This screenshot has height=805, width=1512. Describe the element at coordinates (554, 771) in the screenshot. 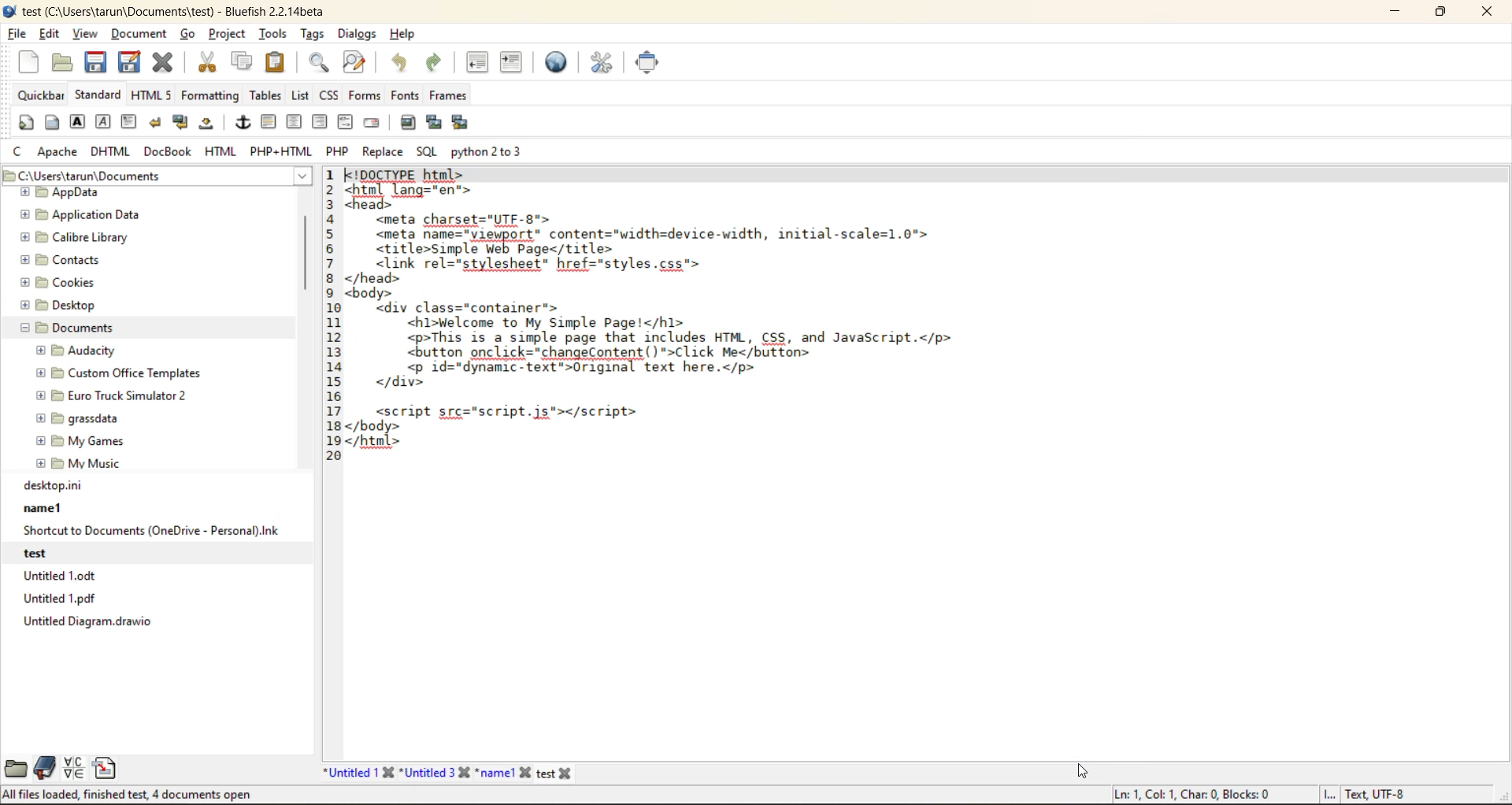

I see `new file` at that location.